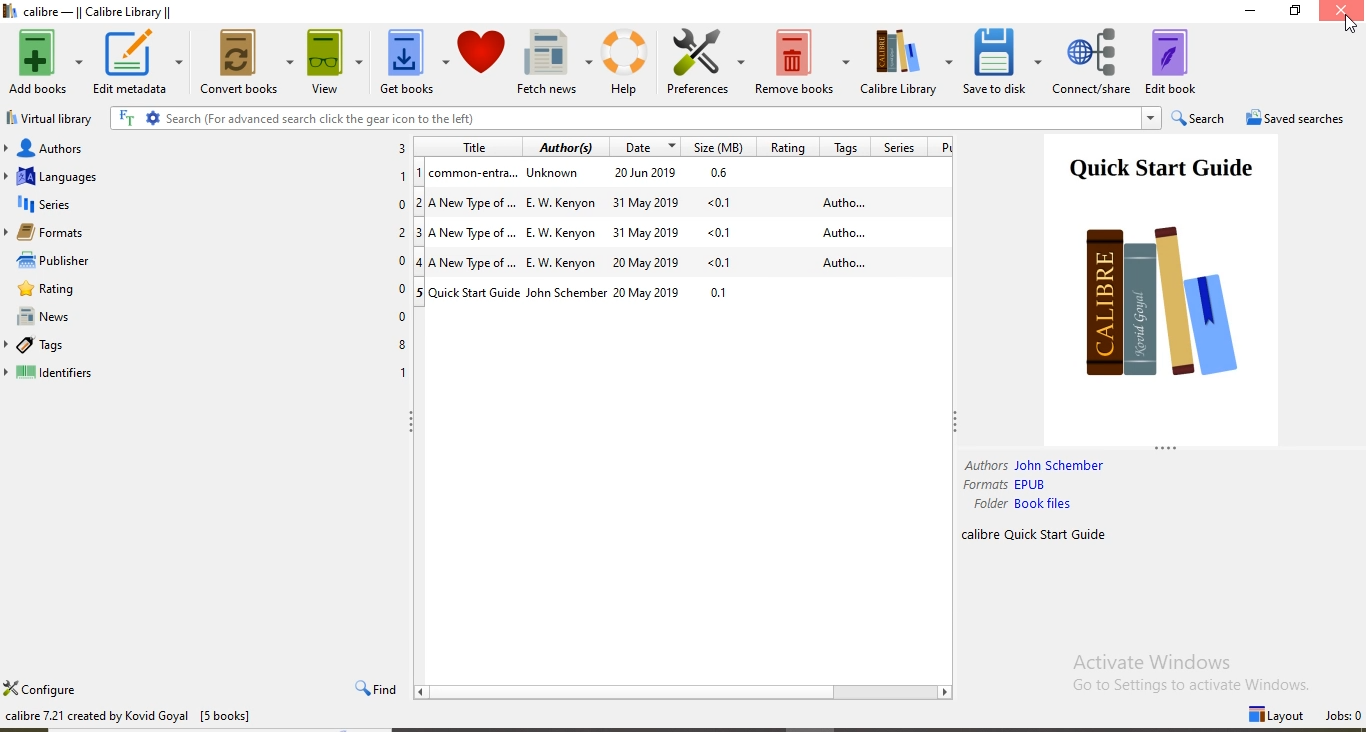 This screenshot has height=732, width=1366. I want to click on Folder Book files, so click(1023, 504).